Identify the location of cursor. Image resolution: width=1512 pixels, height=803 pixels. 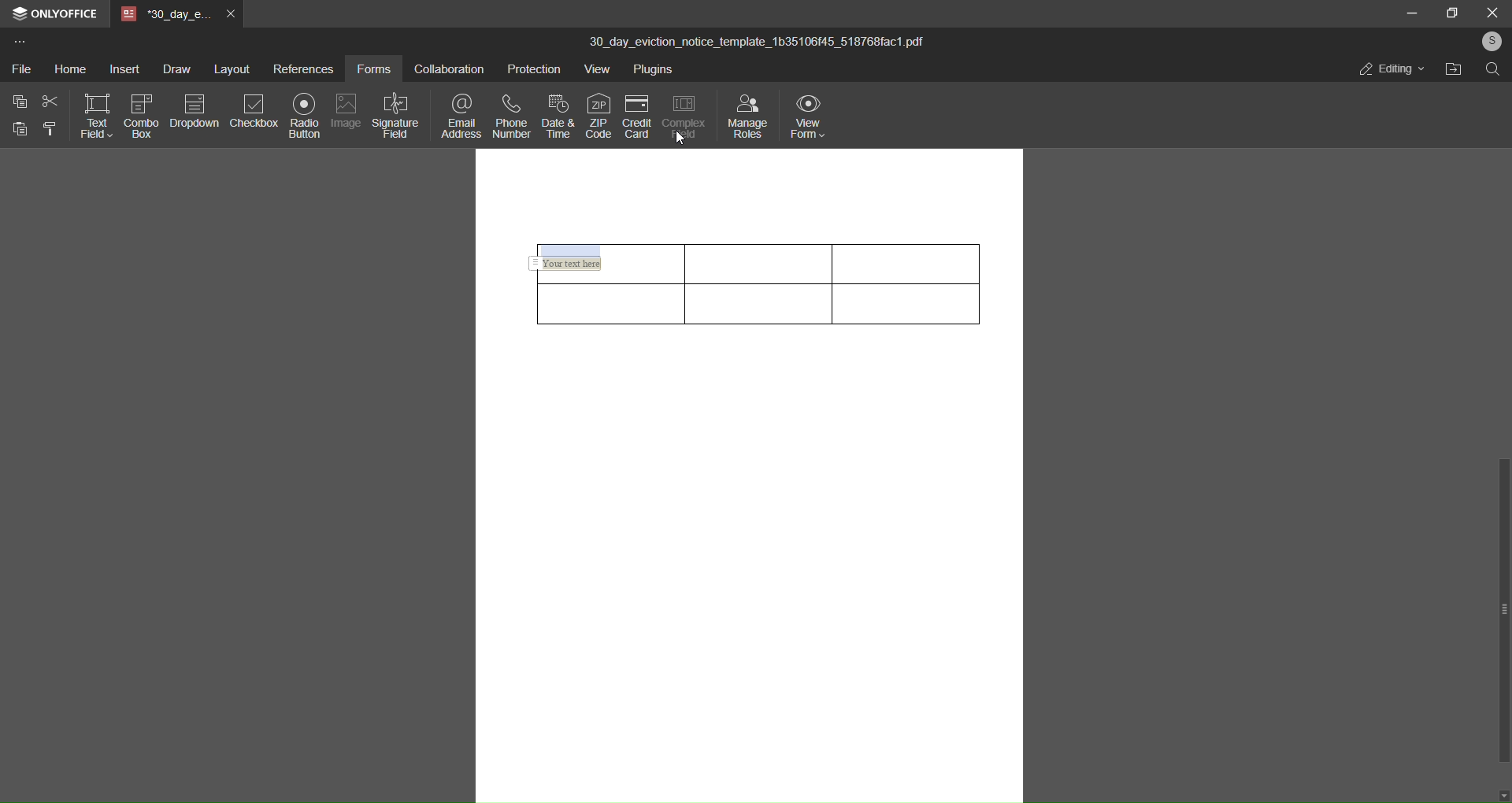
(681, 139).